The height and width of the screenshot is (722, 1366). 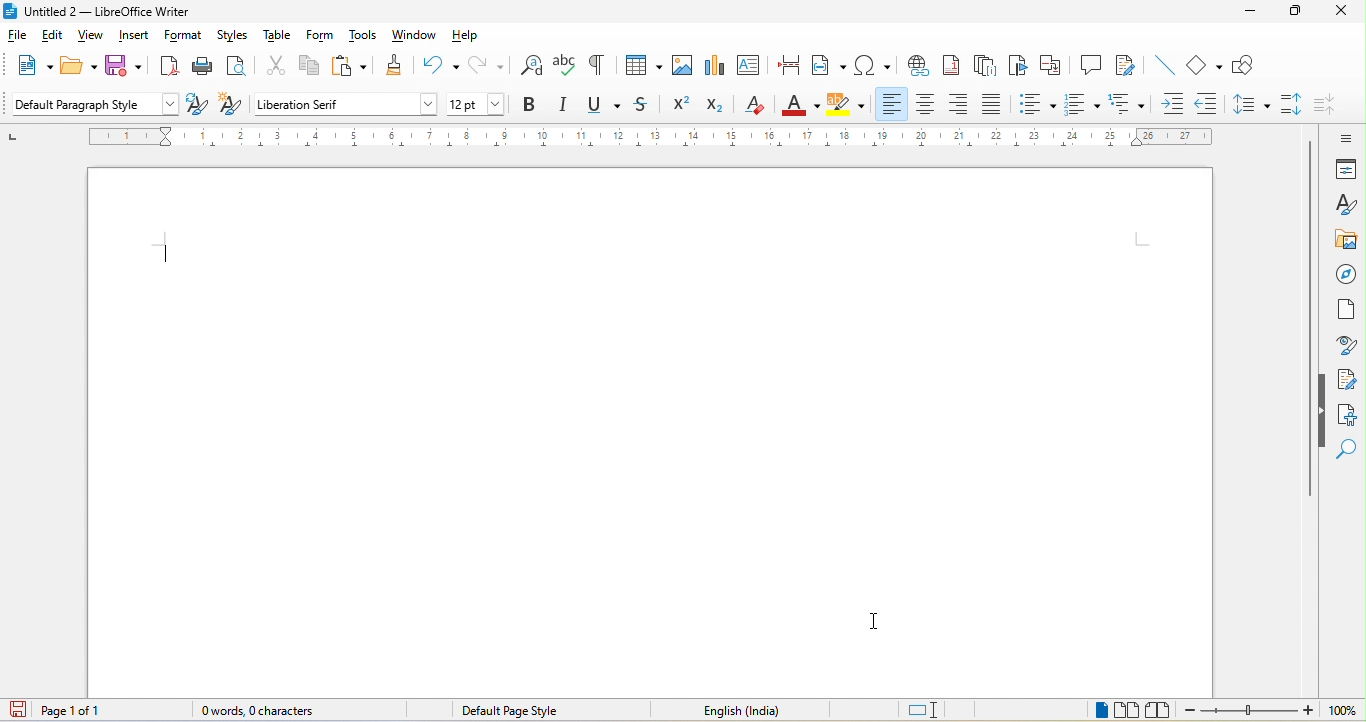 I want to click on show draw function, so click(x=1250, y=68).